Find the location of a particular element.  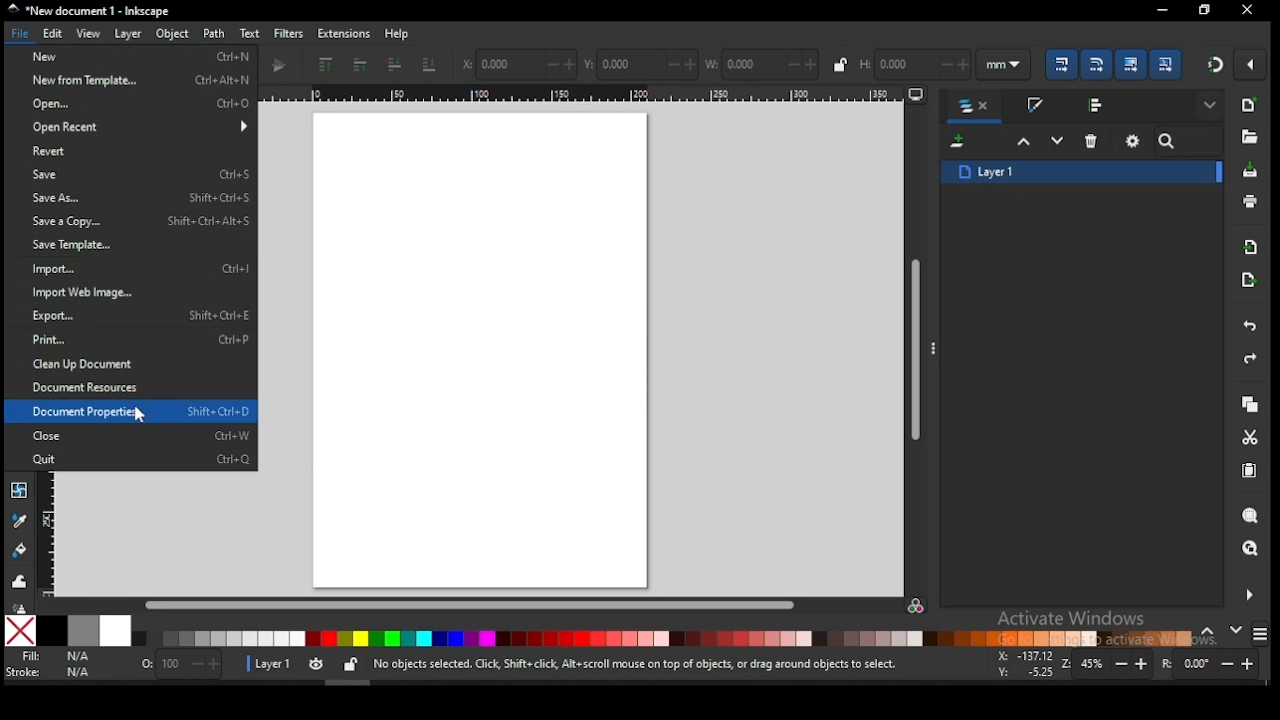

snap options is located at coordinates (1252, 64).